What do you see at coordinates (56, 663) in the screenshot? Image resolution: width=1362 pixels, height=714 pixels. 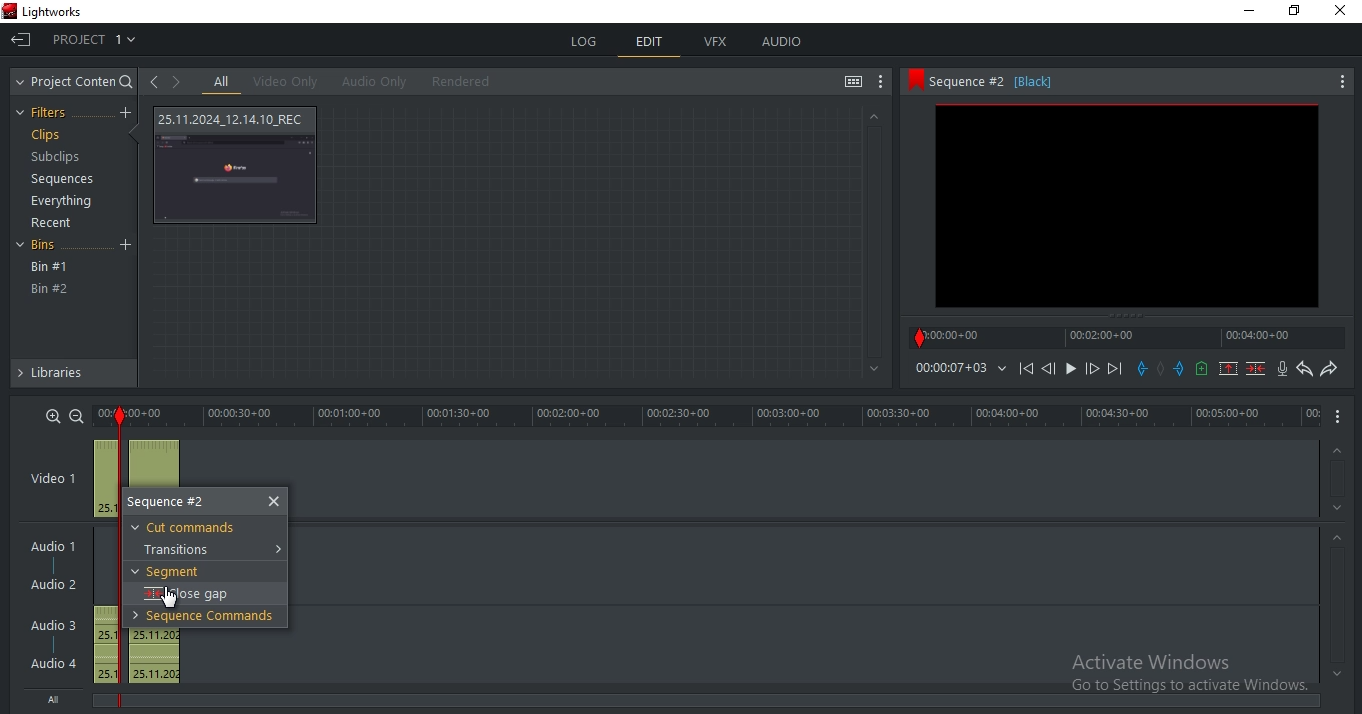 I see `Audio` at bounding box center [56, 663].